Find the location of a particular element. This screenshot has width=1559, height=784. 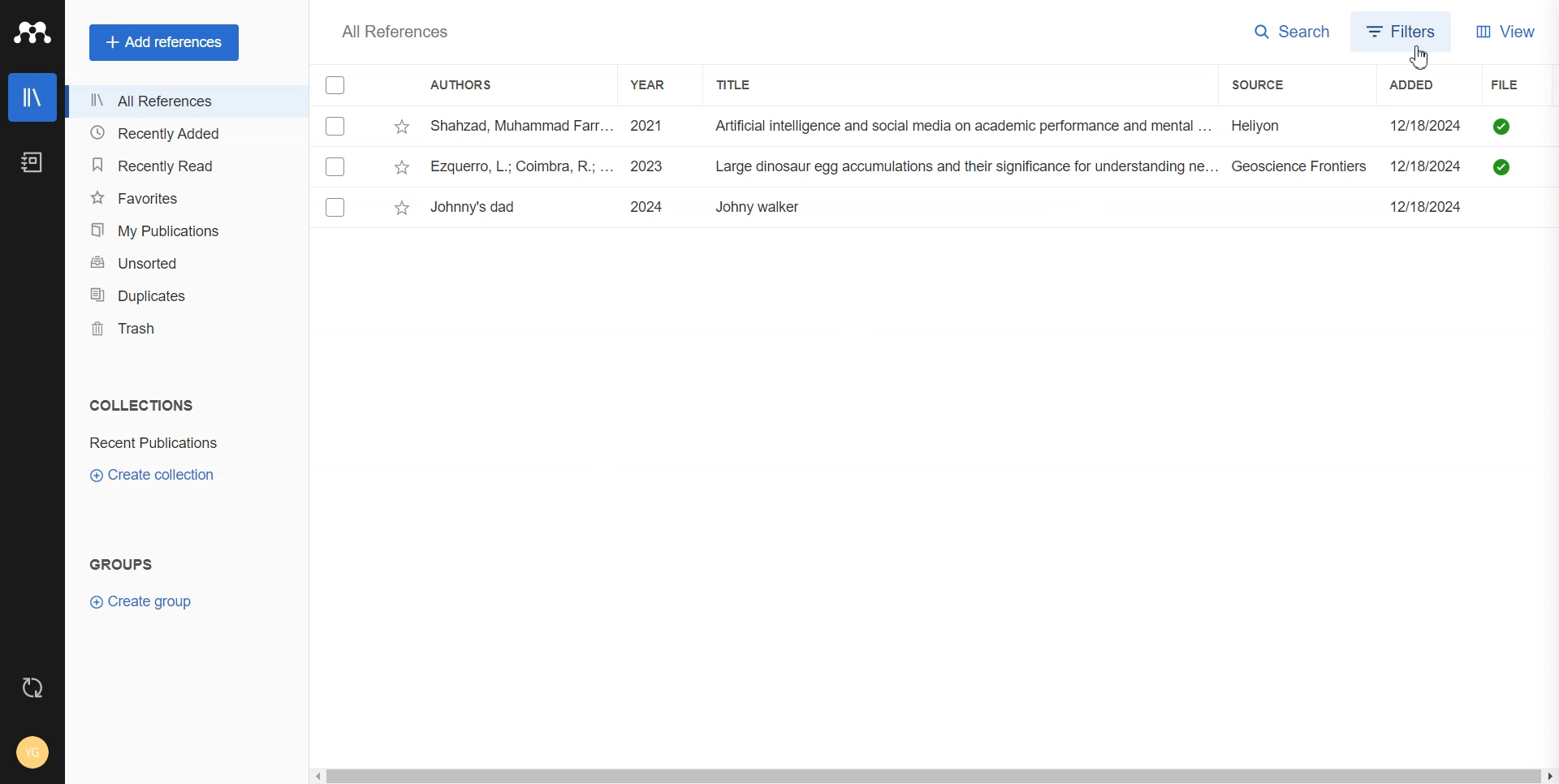

Favorites is located at coordinates (182, 196).